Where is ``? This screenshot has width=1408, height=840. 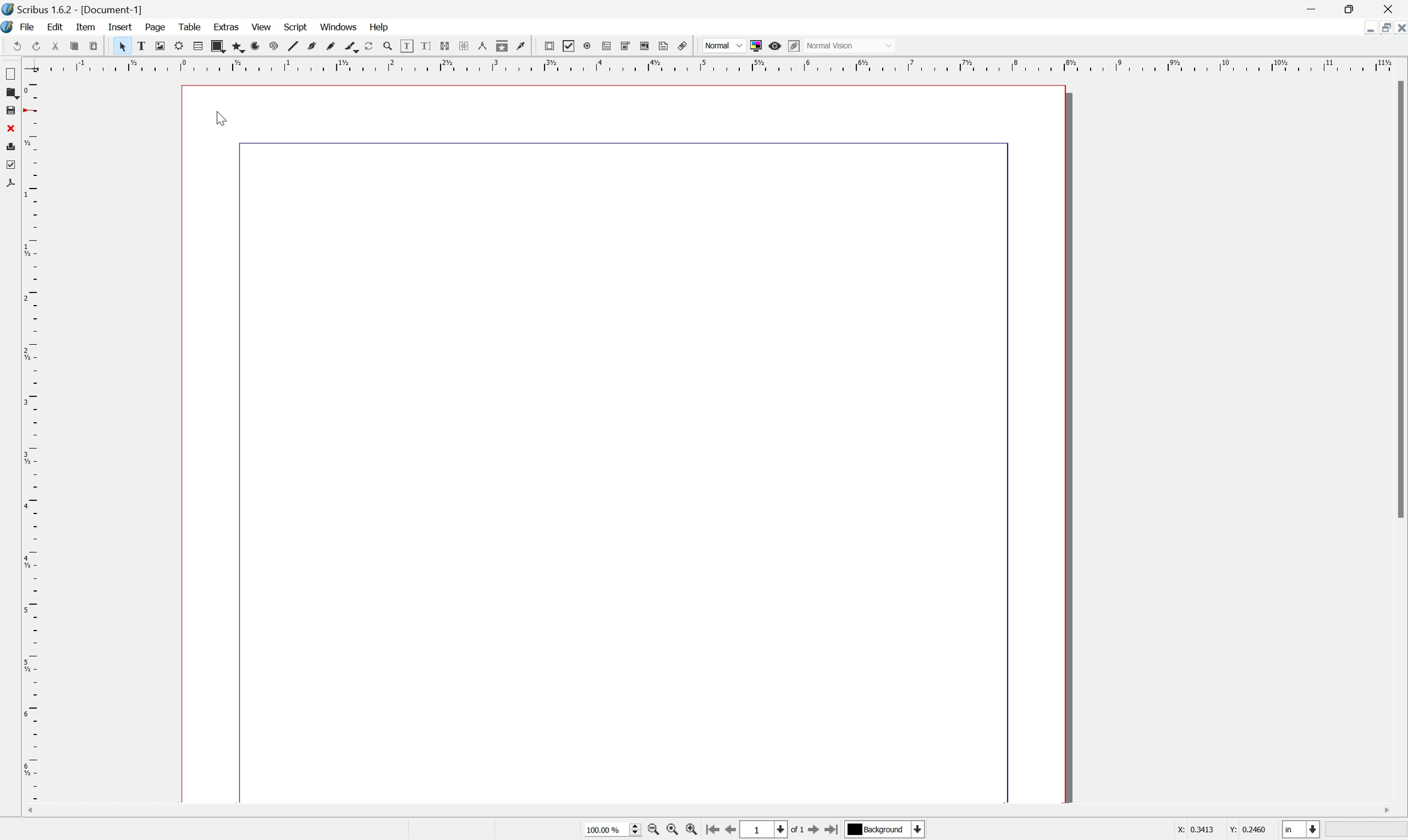
 is located at coordinates (724, 46).